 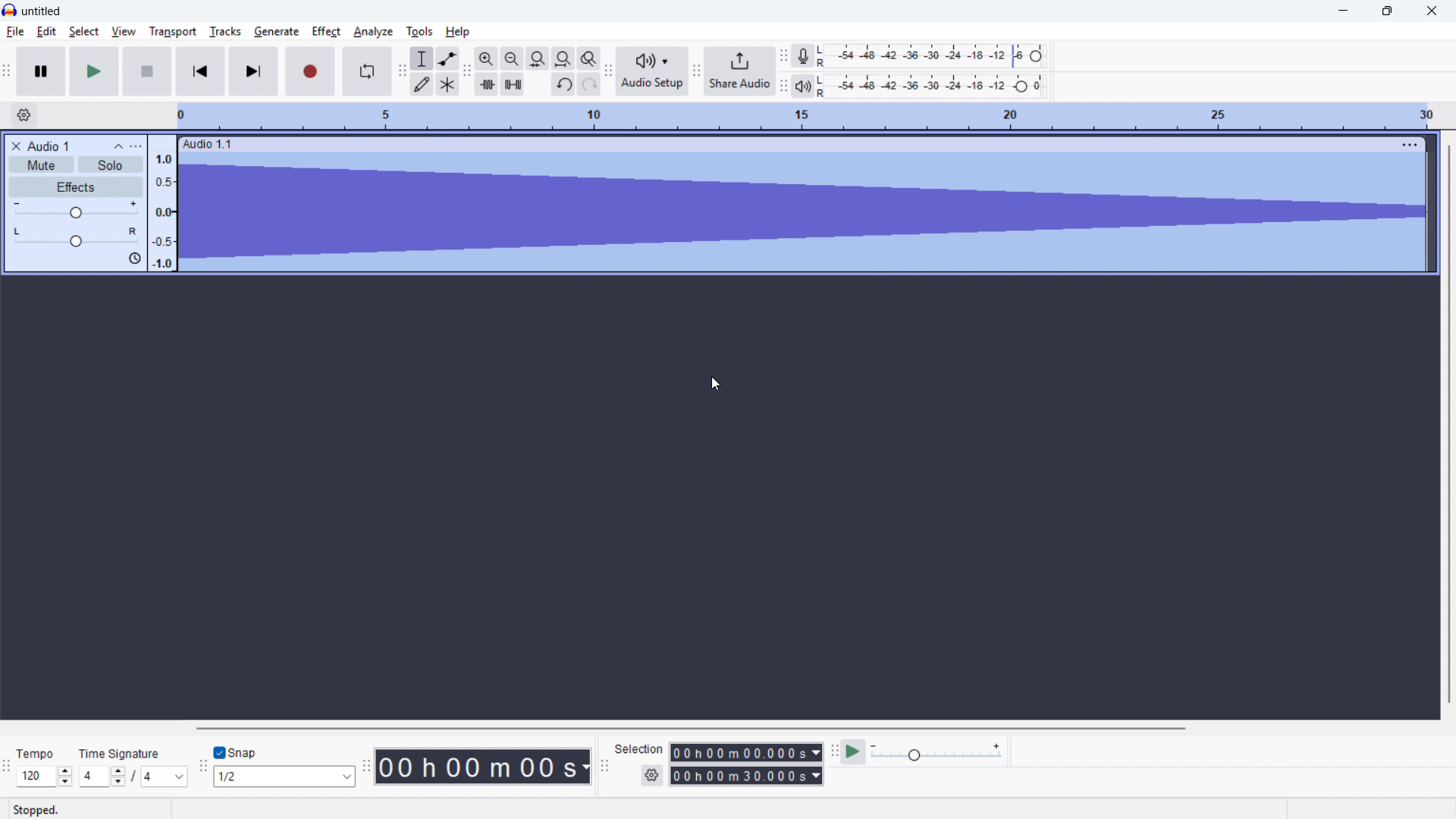 I want to click on Recording metre , so click(x=802, y=55).